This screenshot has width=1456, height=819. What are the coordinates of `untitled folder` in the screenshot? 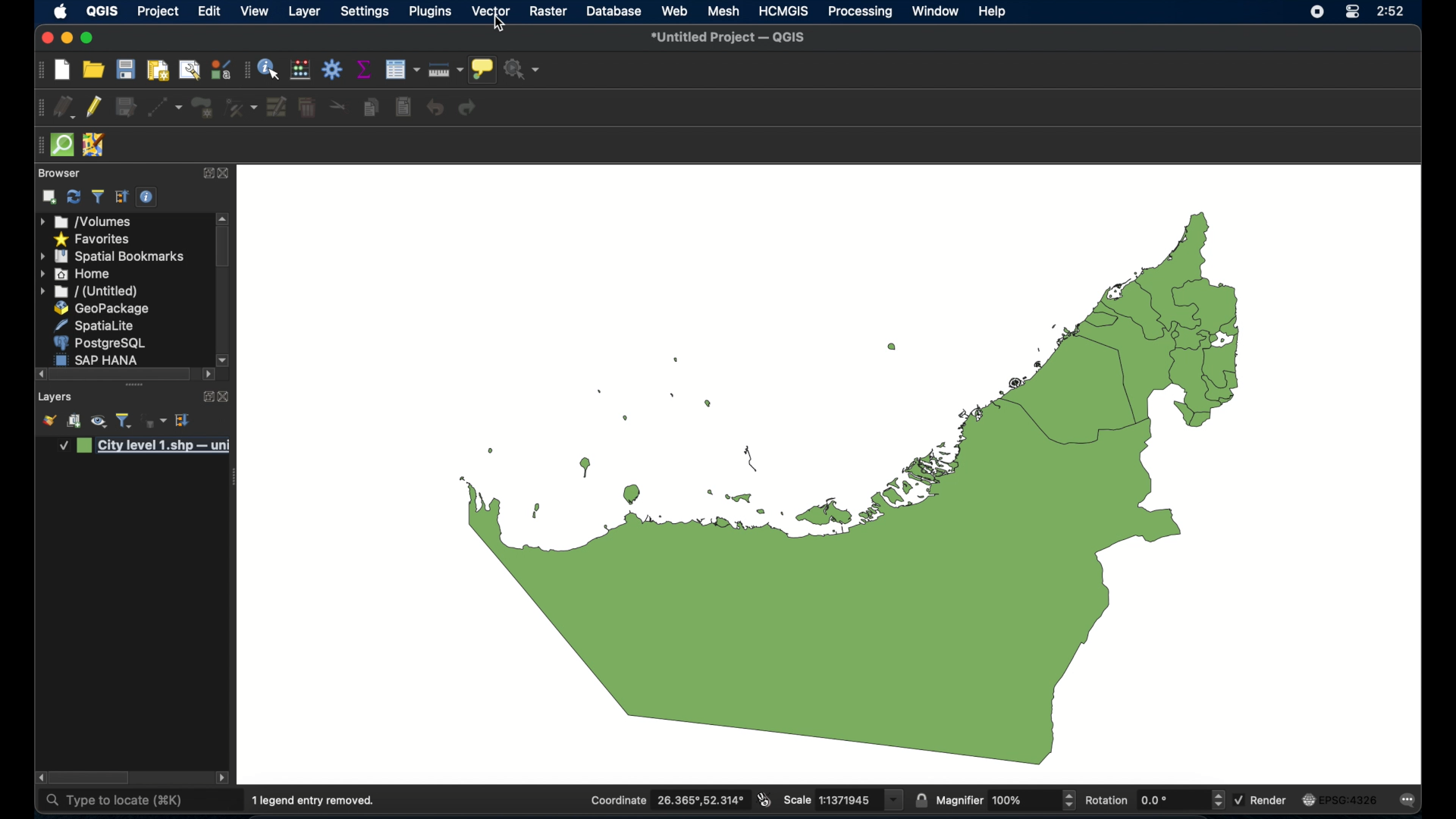 It's located at (91, 292).